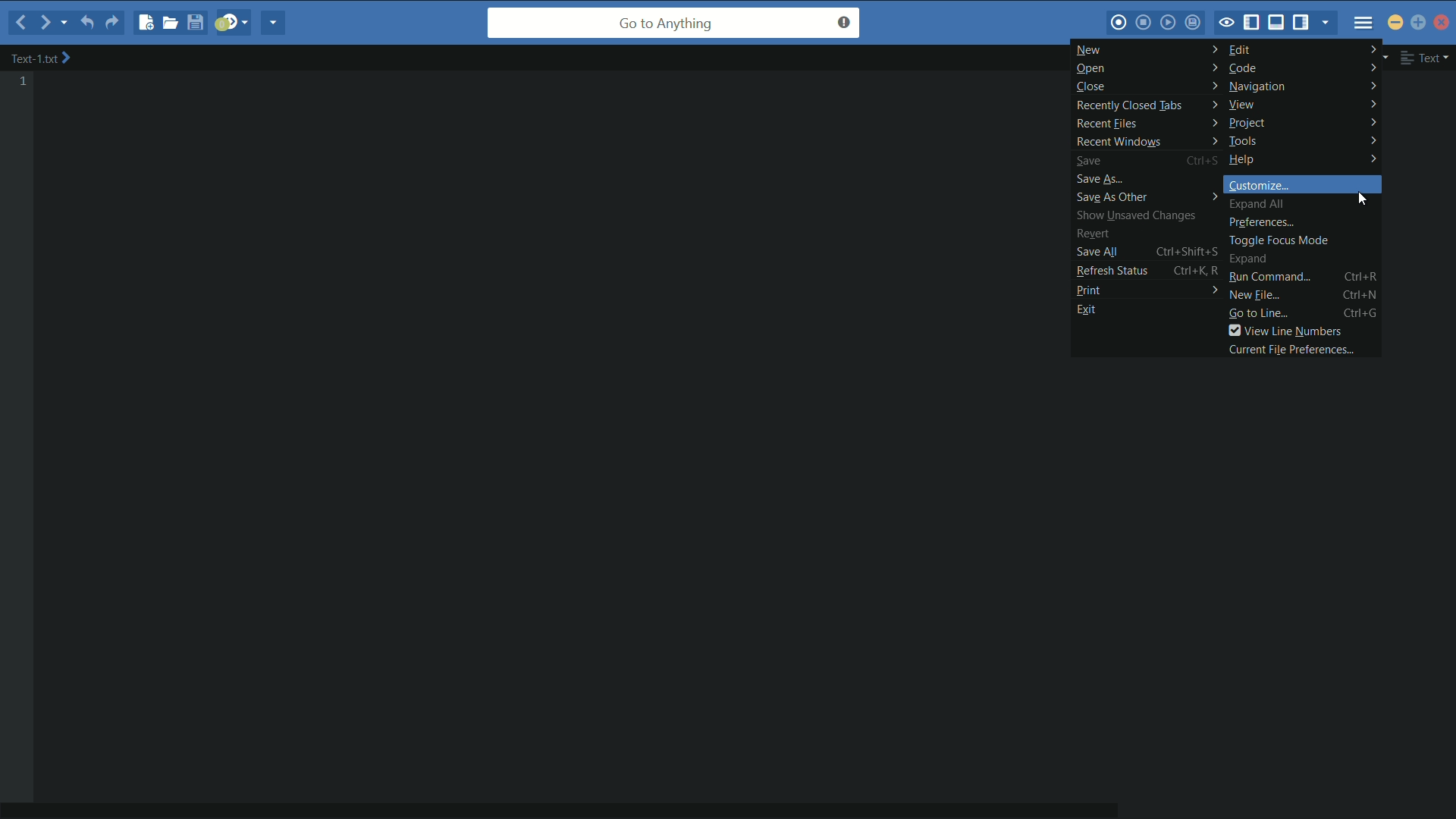 The height and width of the screenshot is (819, 1456). Describe the element at coordinates (1302, 68) in the screenshot. I see `code` at that location.